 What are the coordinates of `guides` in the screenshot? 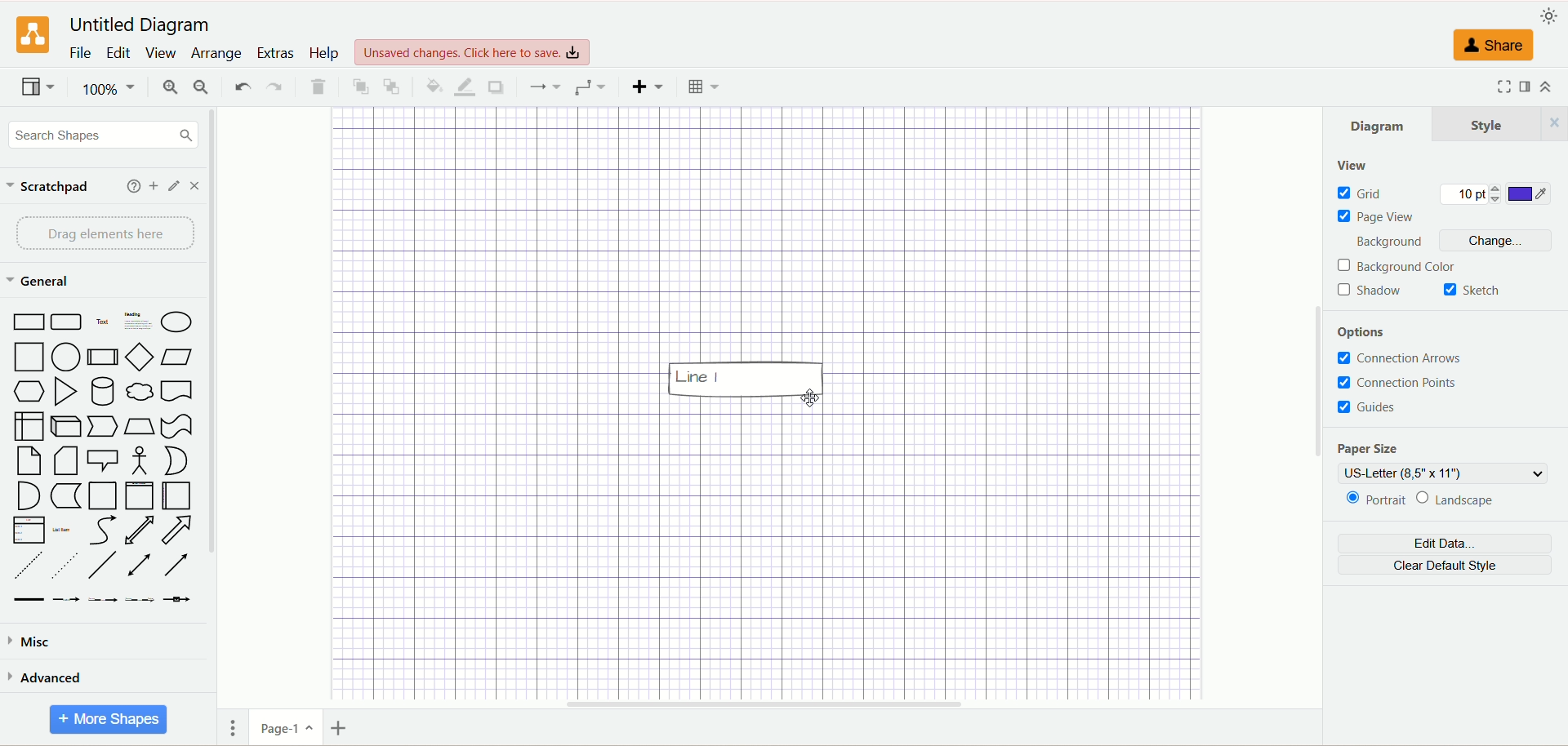 It's located at (1368, 408).